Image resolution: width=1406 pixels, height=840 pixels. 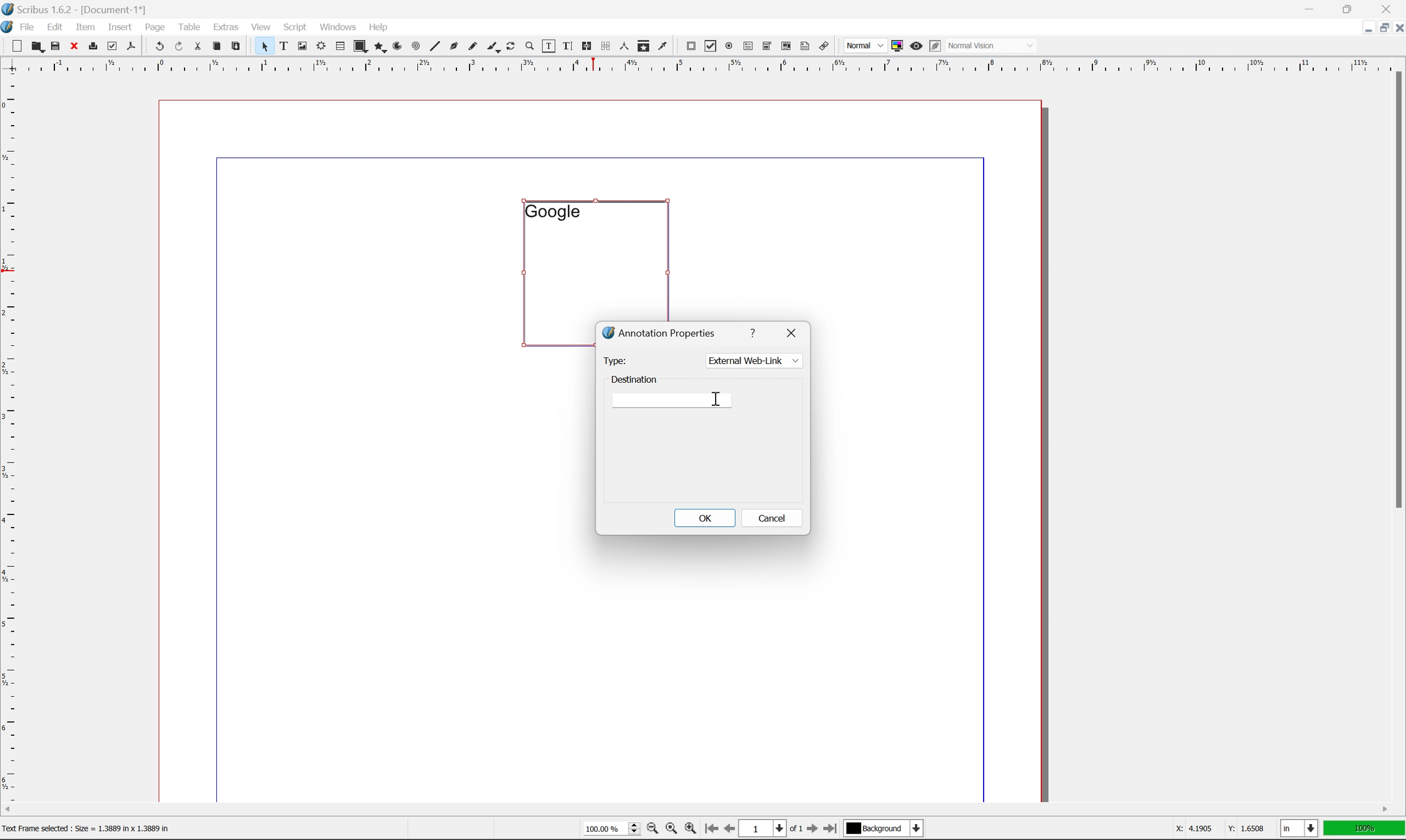 What do you see at coordinates (92, 47) in the screenshot?
I see `print` at bounding box center [92, 47].